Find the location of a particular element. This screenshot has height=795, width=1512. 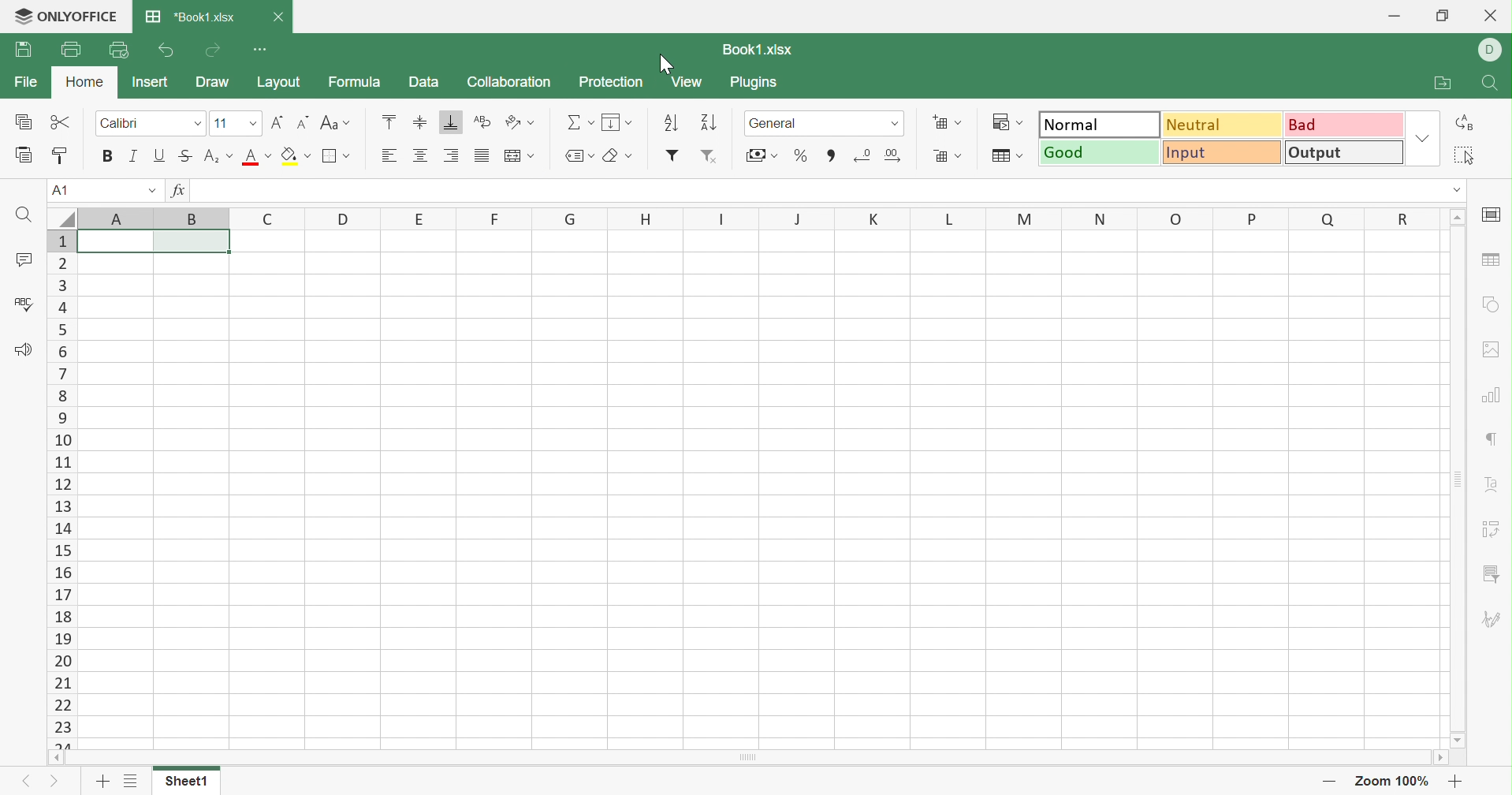

Delete cells is located at coordinates (949, 155).